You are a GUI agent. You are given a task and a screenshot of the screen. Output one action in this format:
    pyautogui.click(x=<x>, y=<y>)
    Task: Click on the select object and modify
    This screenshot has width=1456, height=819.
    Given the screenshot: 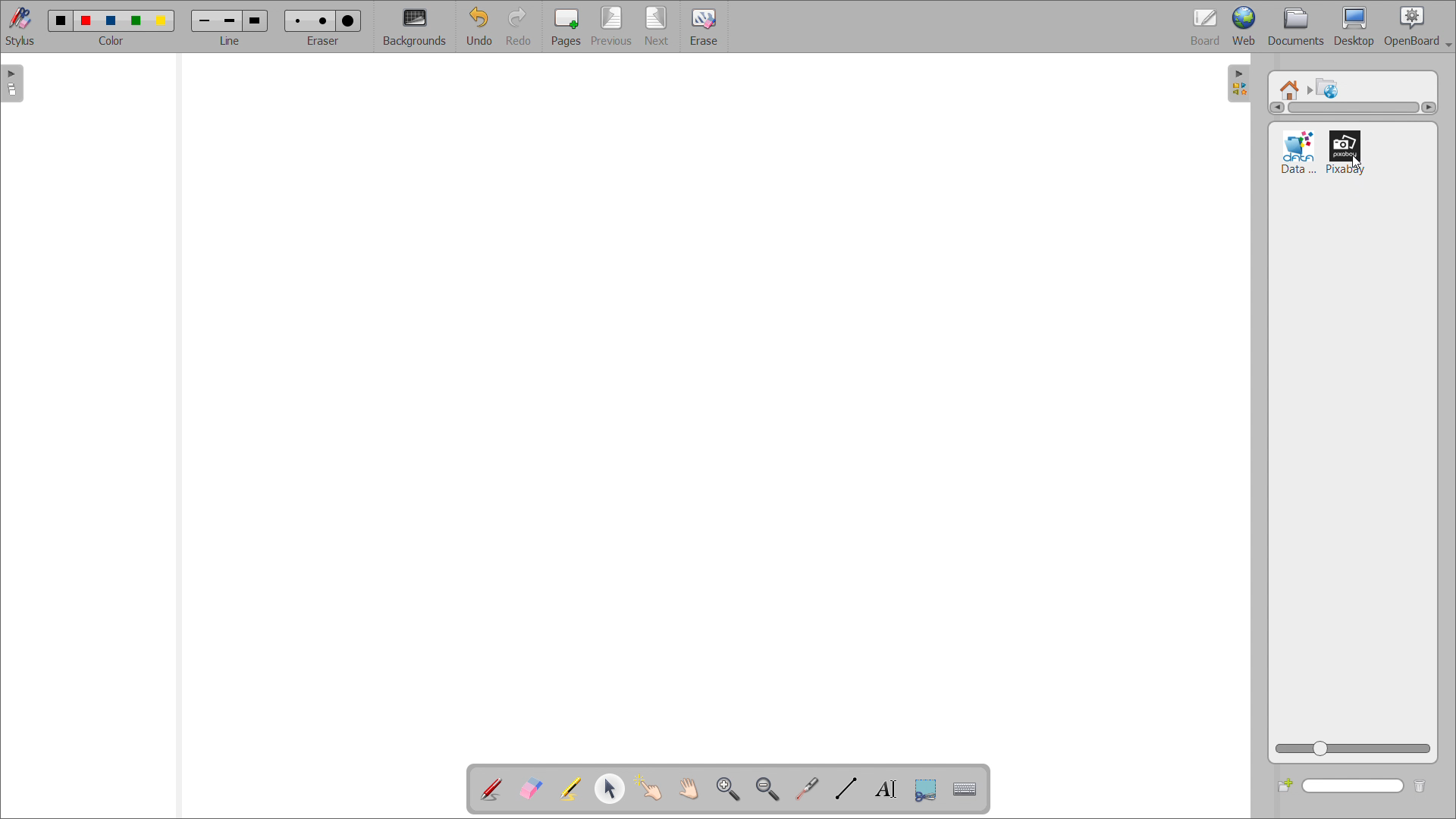 What is the action you would take?
    pyautogui.click(x=610, y=788)
    